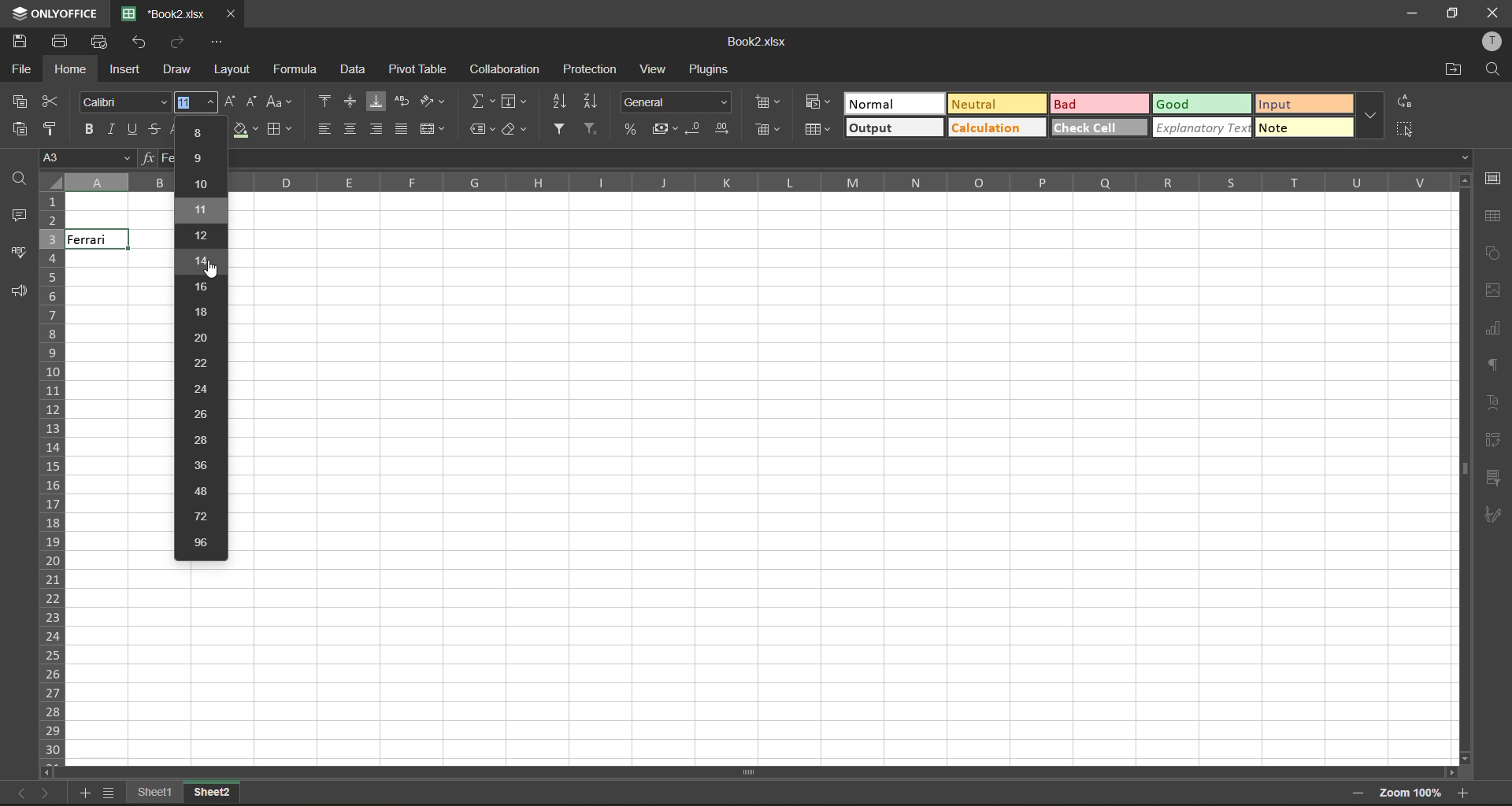 The width and height of the screenshot is (1512, 806). I want to click on sort descending, so click(595, 101).